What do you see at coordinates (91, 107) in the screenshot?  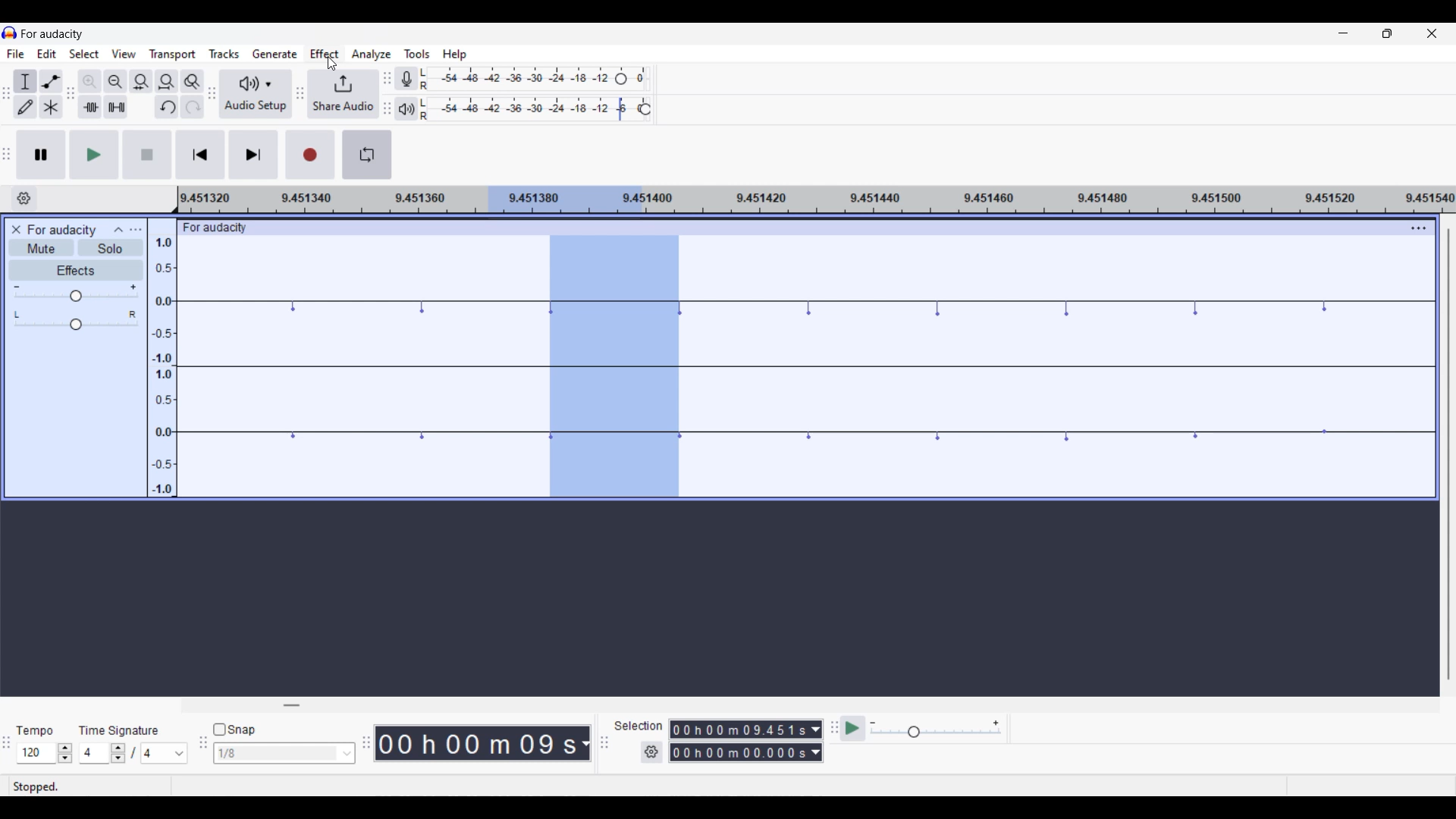 I see `Trim audio outside selection` at bounding box center [91, 107].